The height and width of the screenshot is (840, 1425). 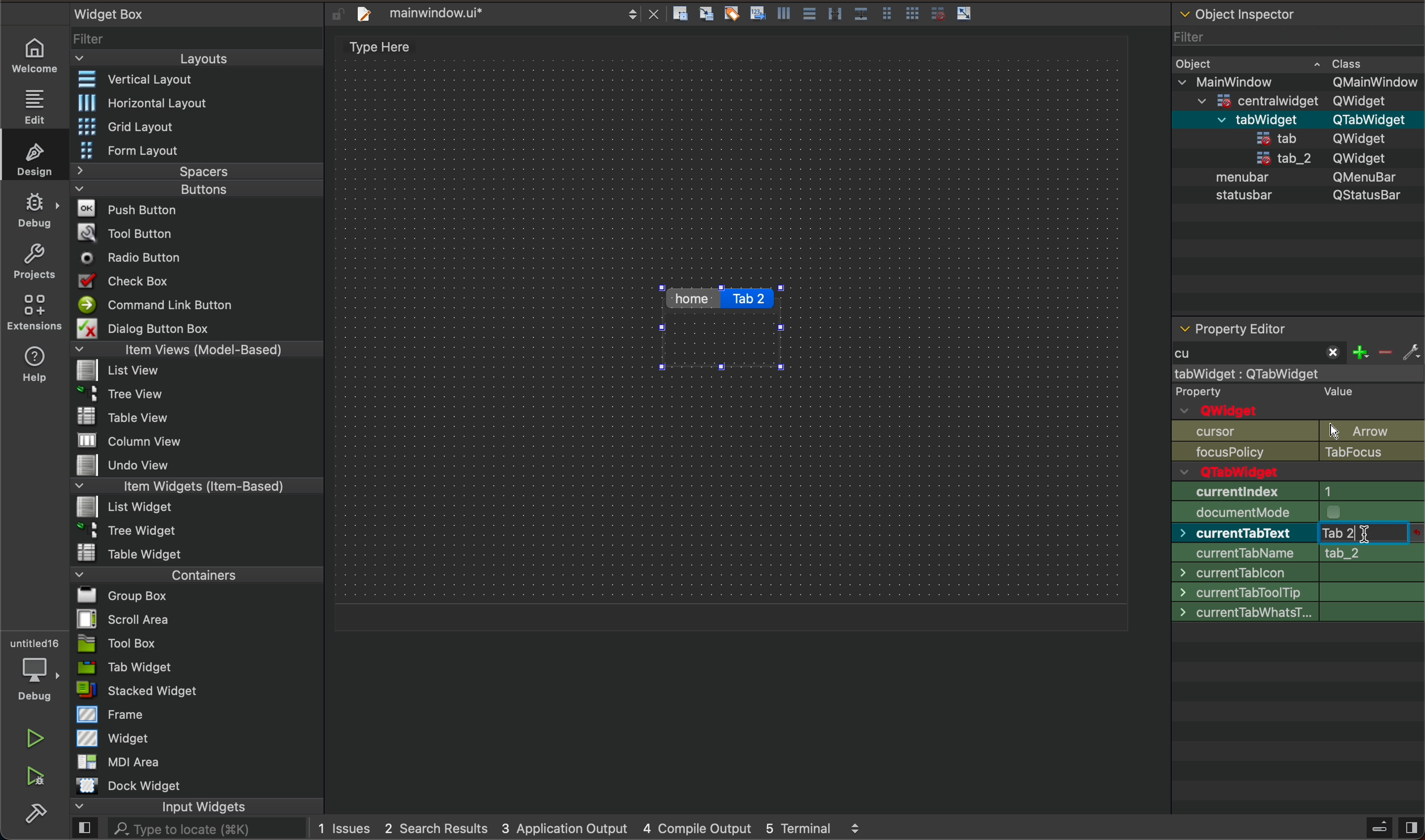 What do you see at coordinates (1270, 160) in the screenshot?
I see `tab_2` at bounding box center [1270, 160].